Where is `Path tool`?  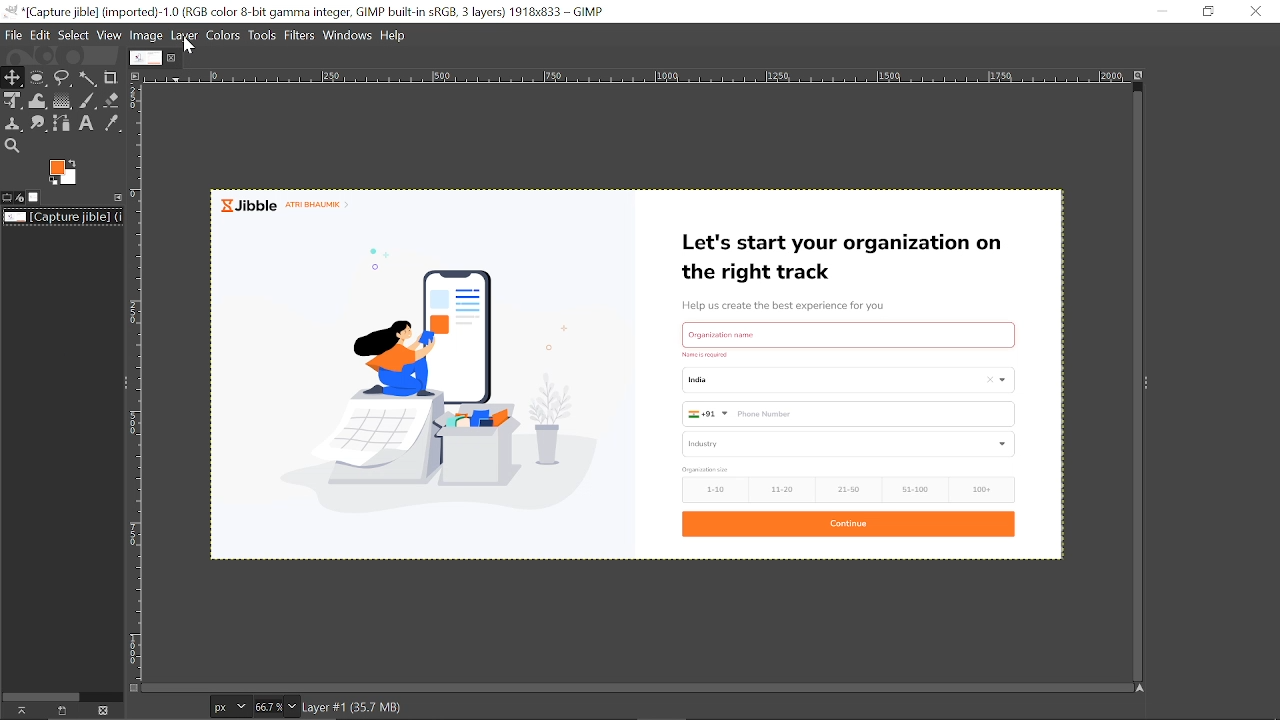
Path tool is located at coordinates (64, 122).